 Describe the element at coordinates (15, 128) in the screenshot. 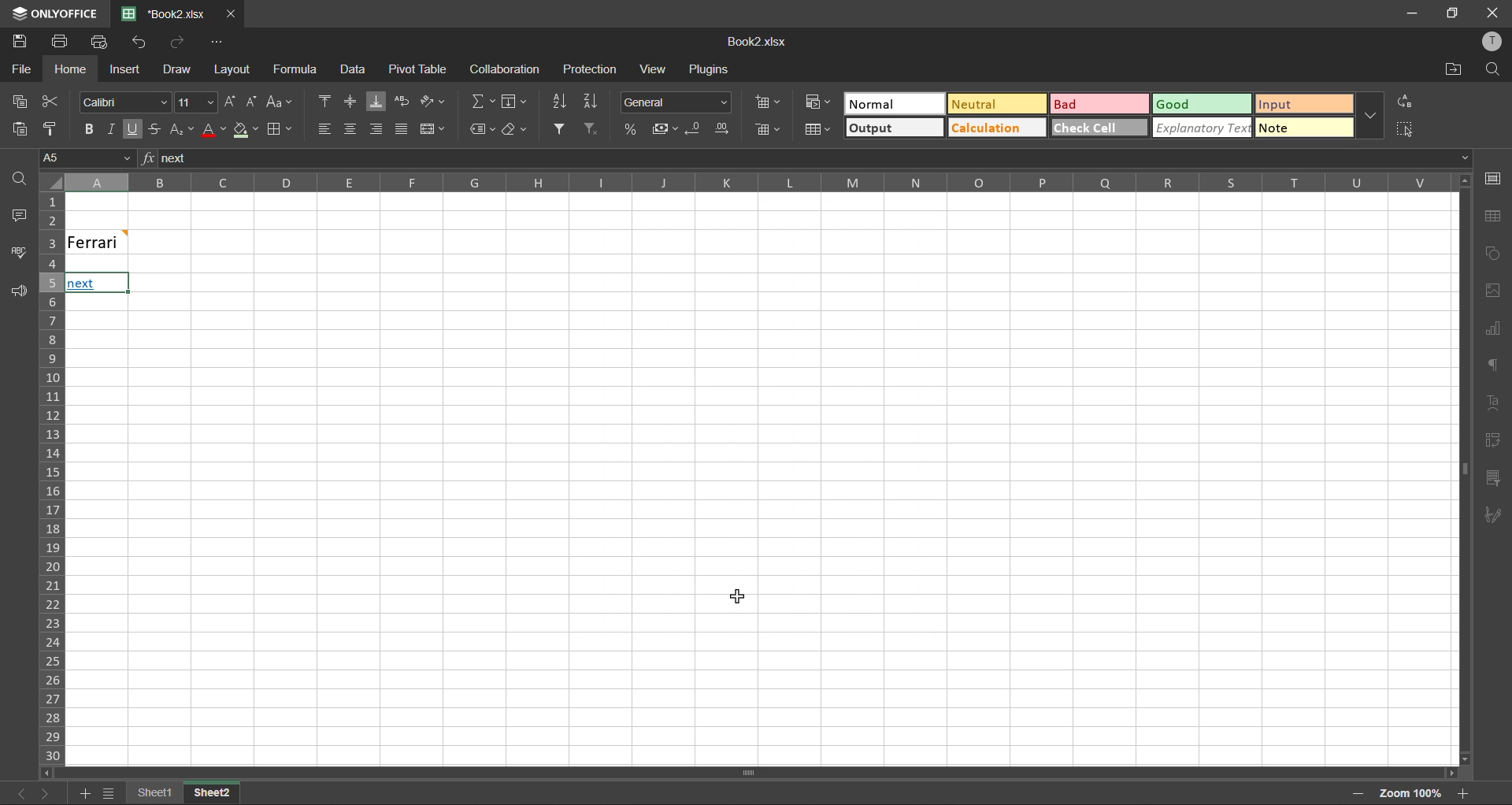

I see `paste` at that location.